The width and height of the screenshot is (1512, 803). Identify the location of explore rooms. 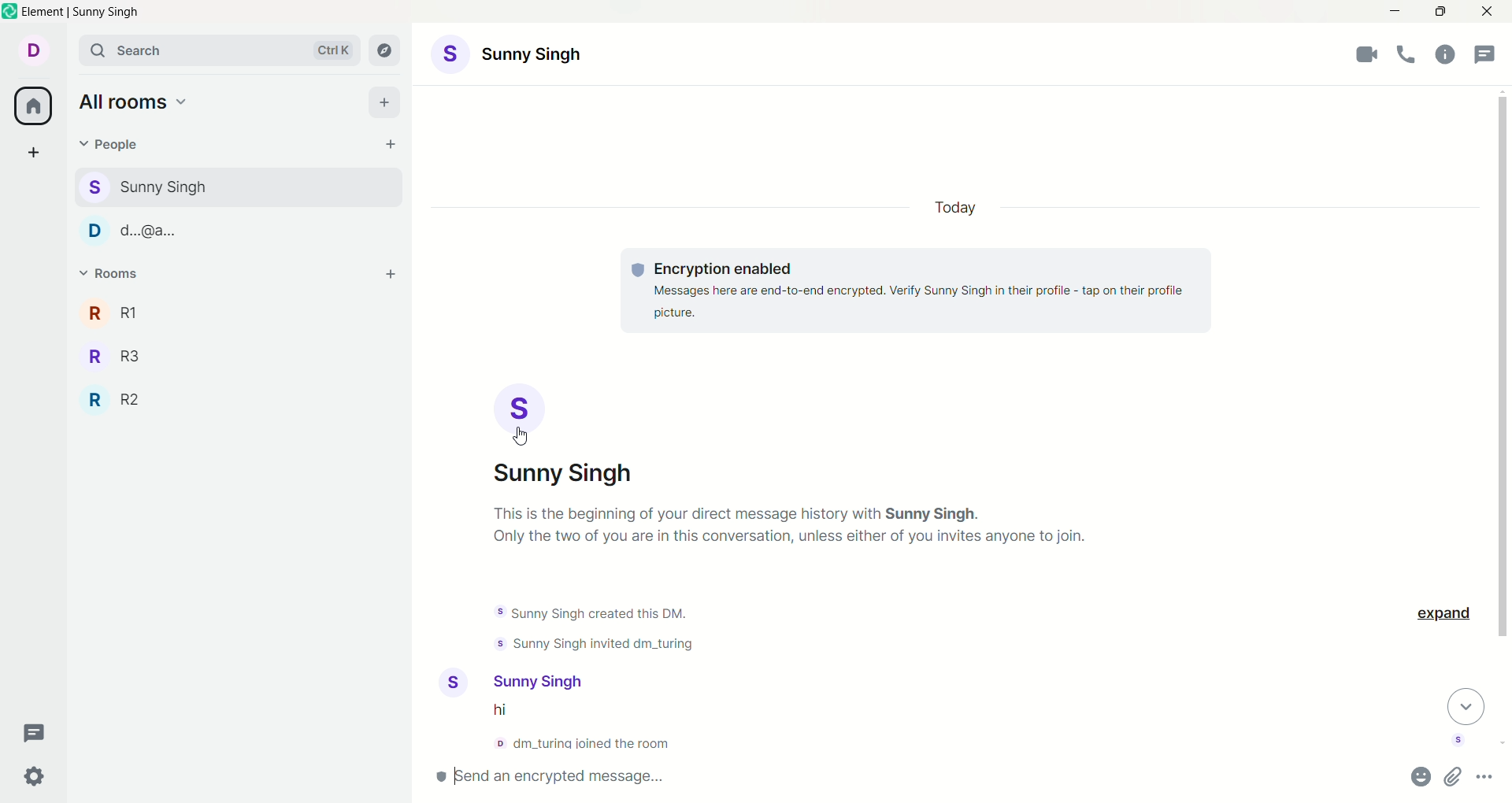
(389, 51).